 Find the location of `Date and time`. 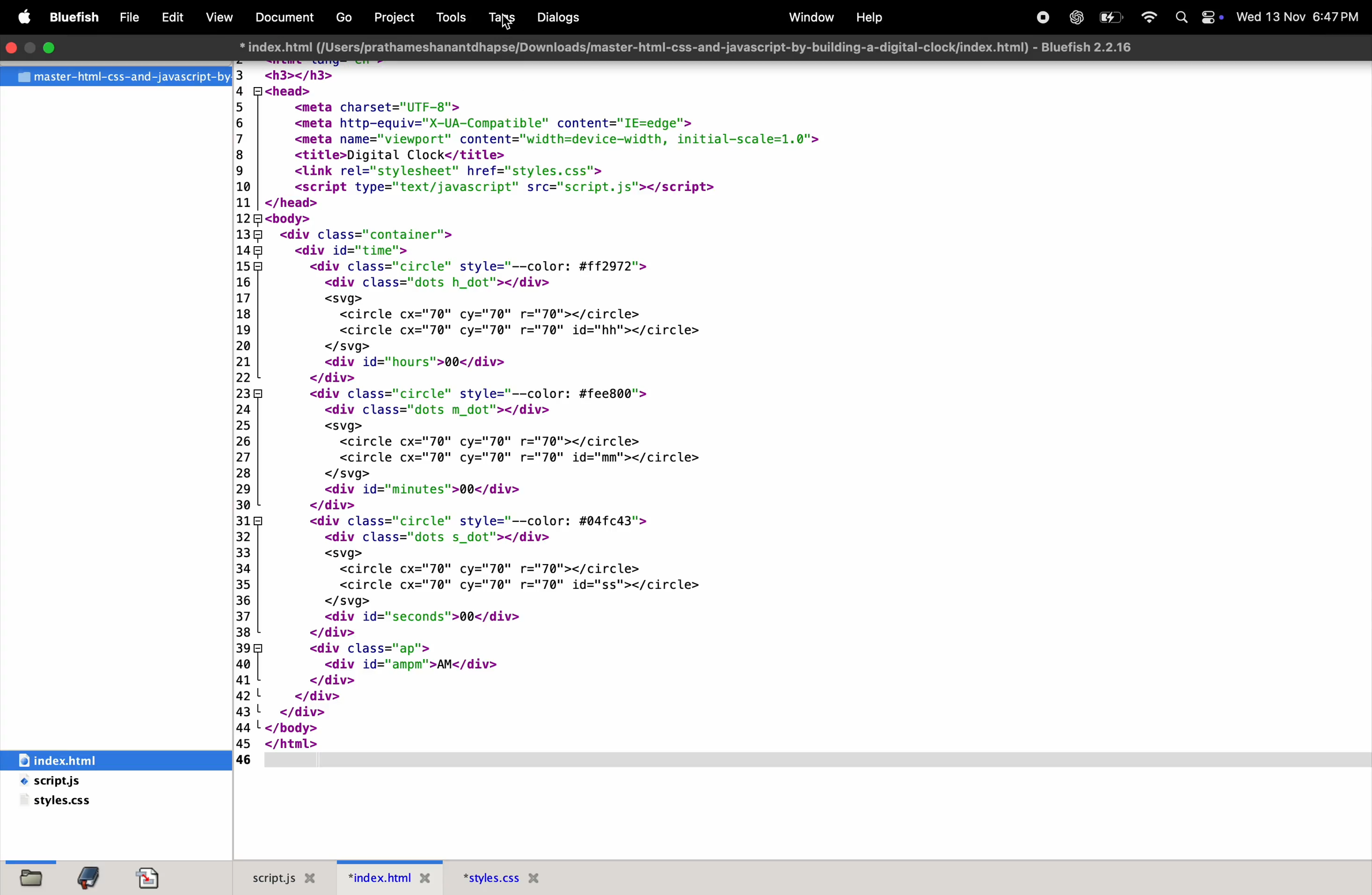

Date and time is located at coordinates (1302, 16).